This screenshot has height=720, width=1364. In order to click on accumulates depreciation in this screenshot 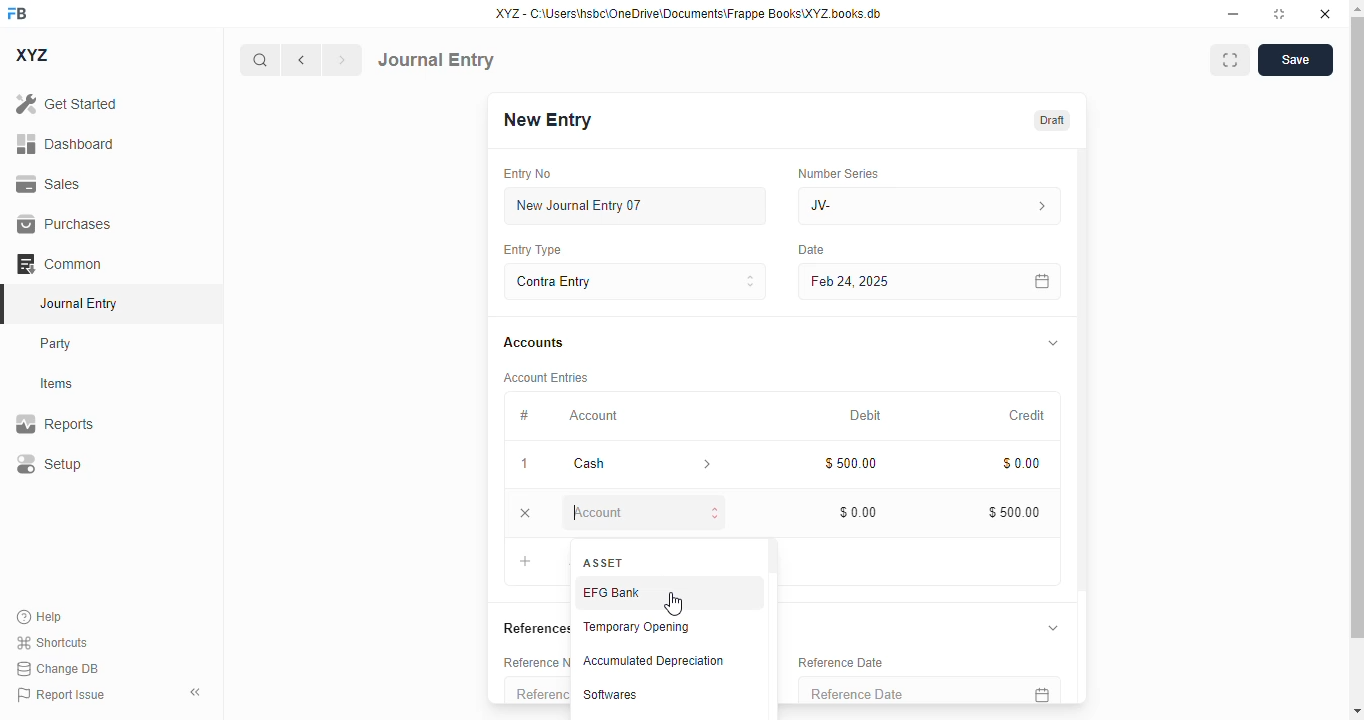, I will do `click(653, 660)`.